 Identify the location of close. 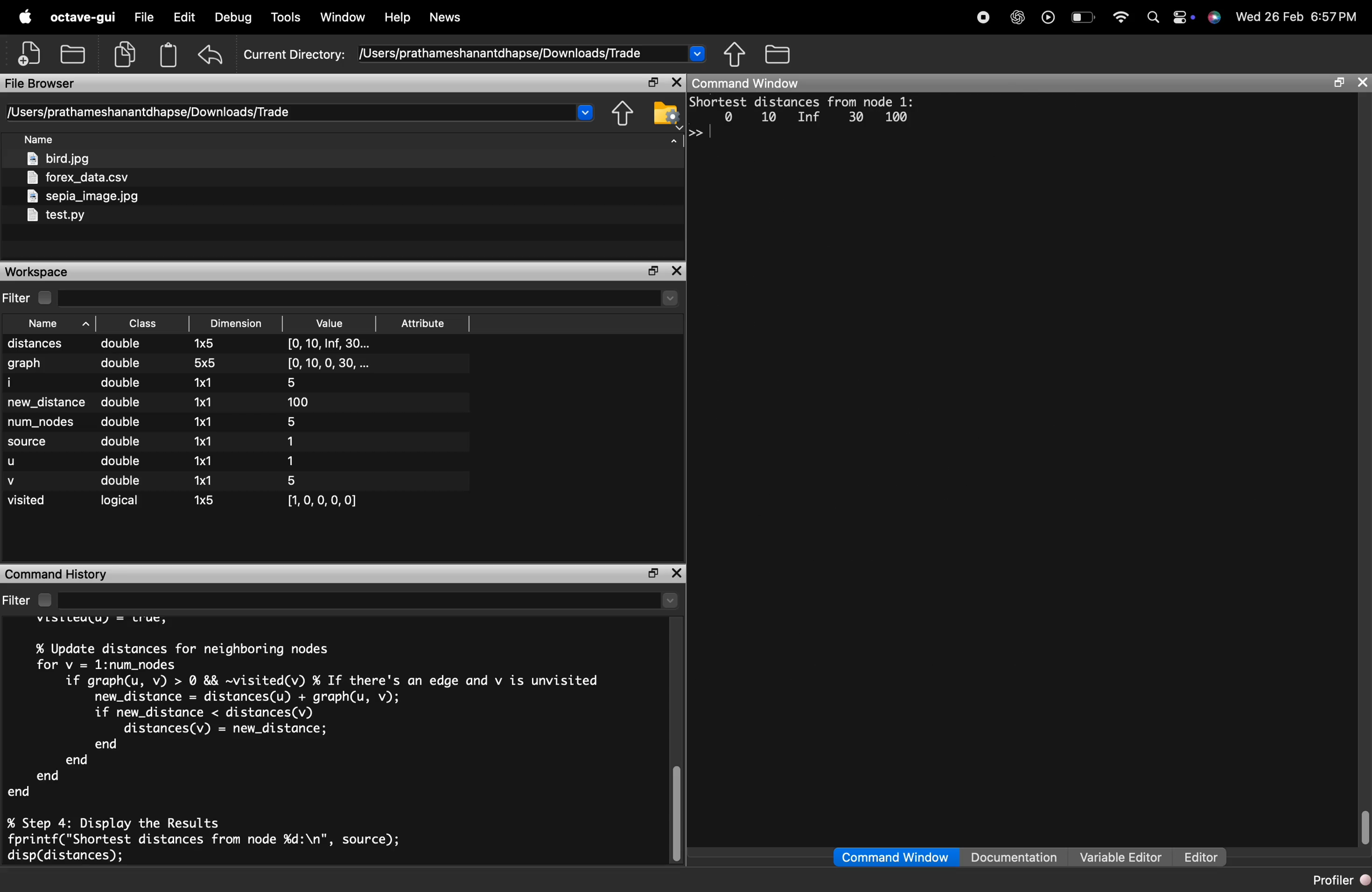
(674, 82).